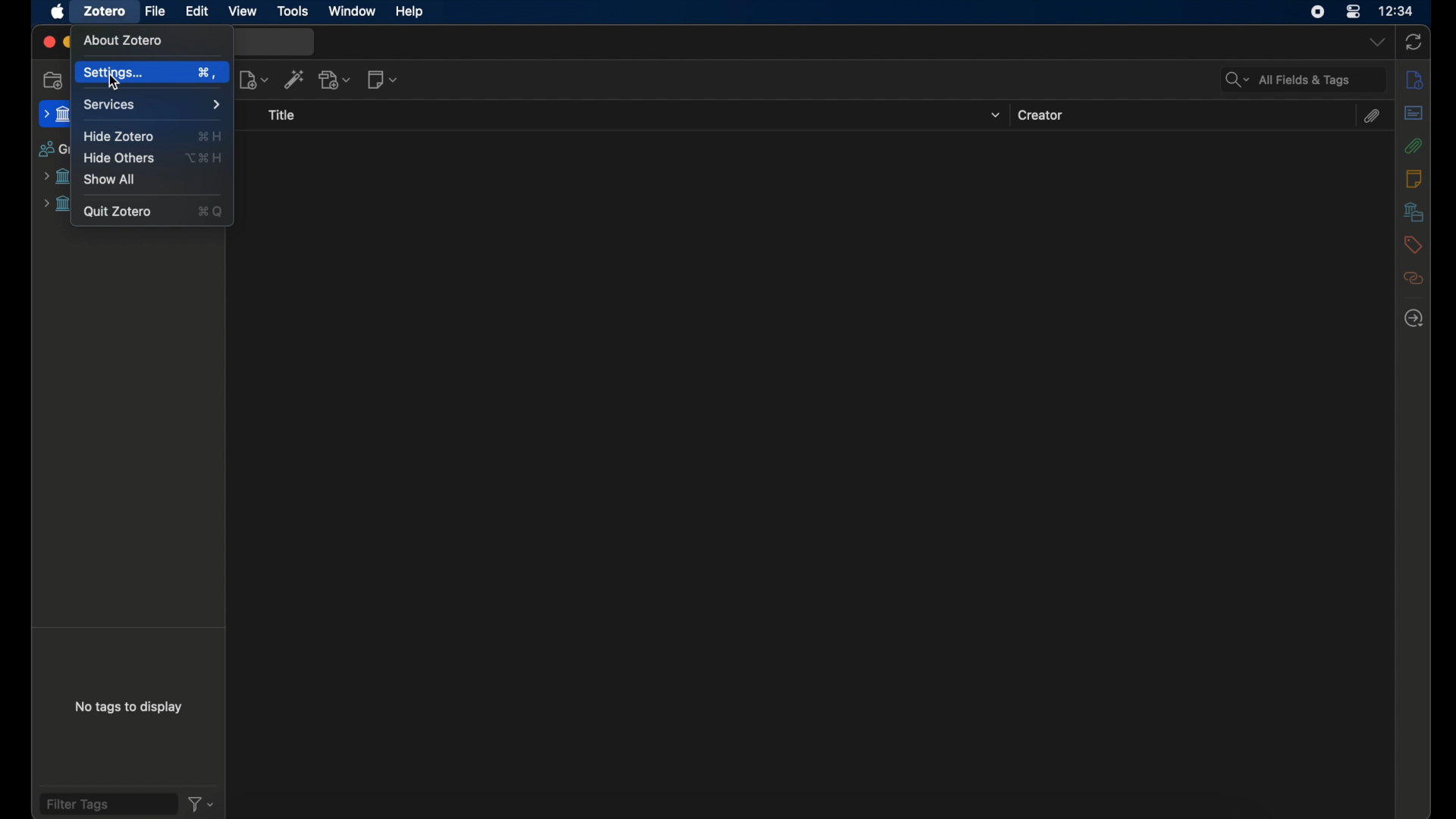 The width and height of the screenshot is (1456, 819). Describe the element at coordinates (115, 74) in the screenshot. I see `settings` at that location.